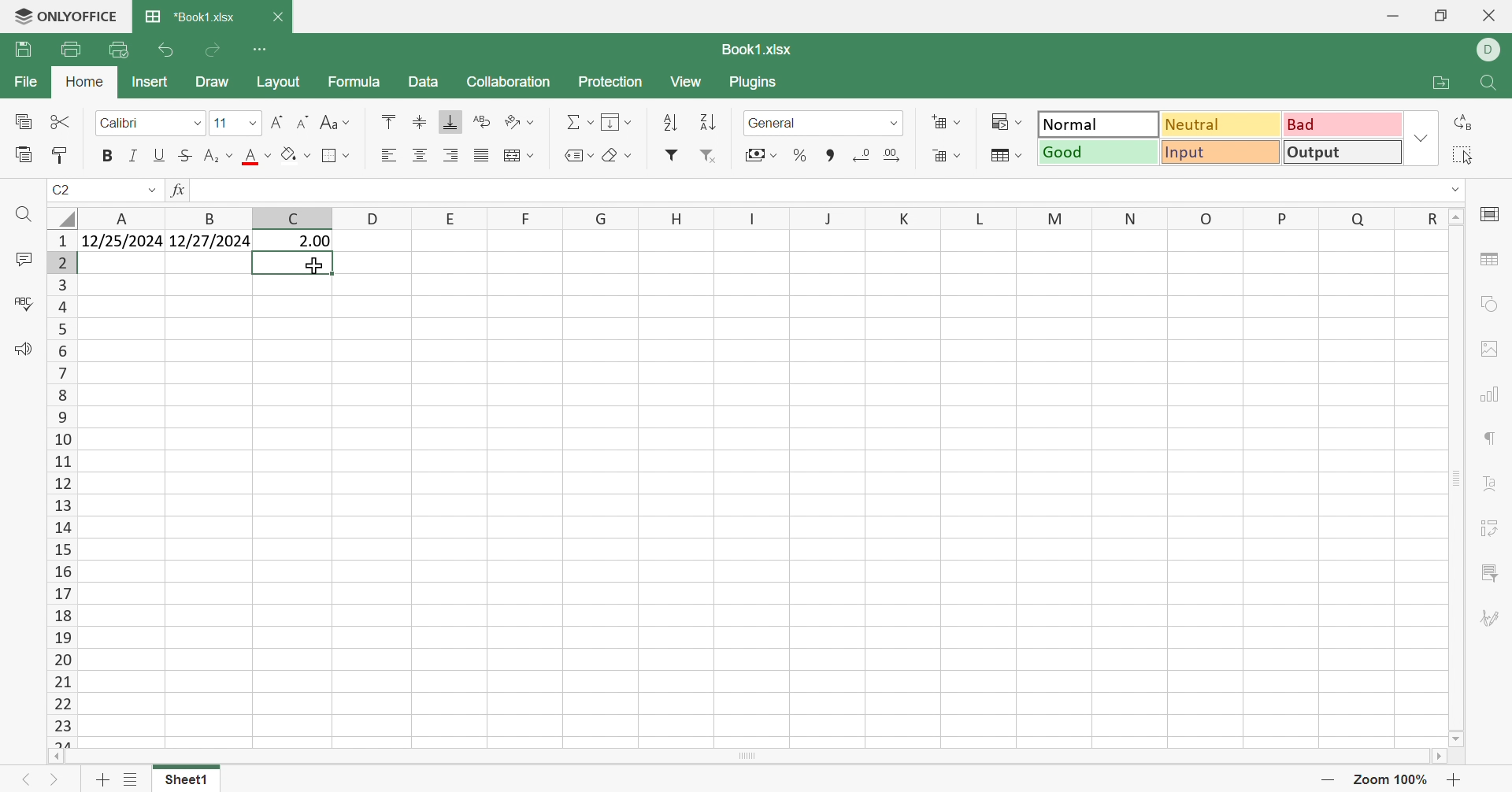  Describe the element at coordinates (301, 124) in the screenshot. I see `Decrement font size` at that location.